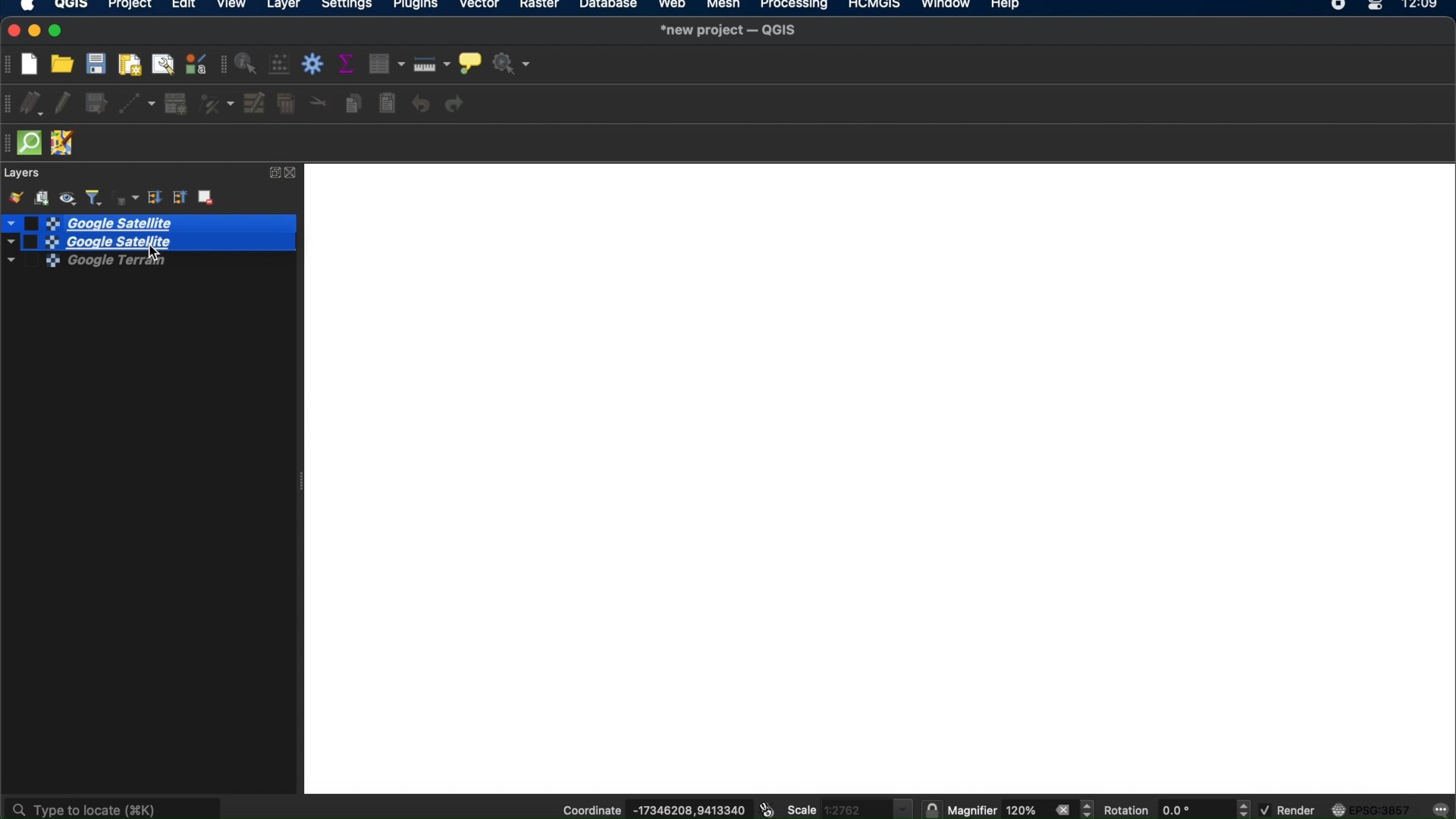 Image resolution: width=1456 pixels, height=819 pixels. Describe the element at coordinates (996, 811) in the screenshot. I see `magnifier 120%` at that location.